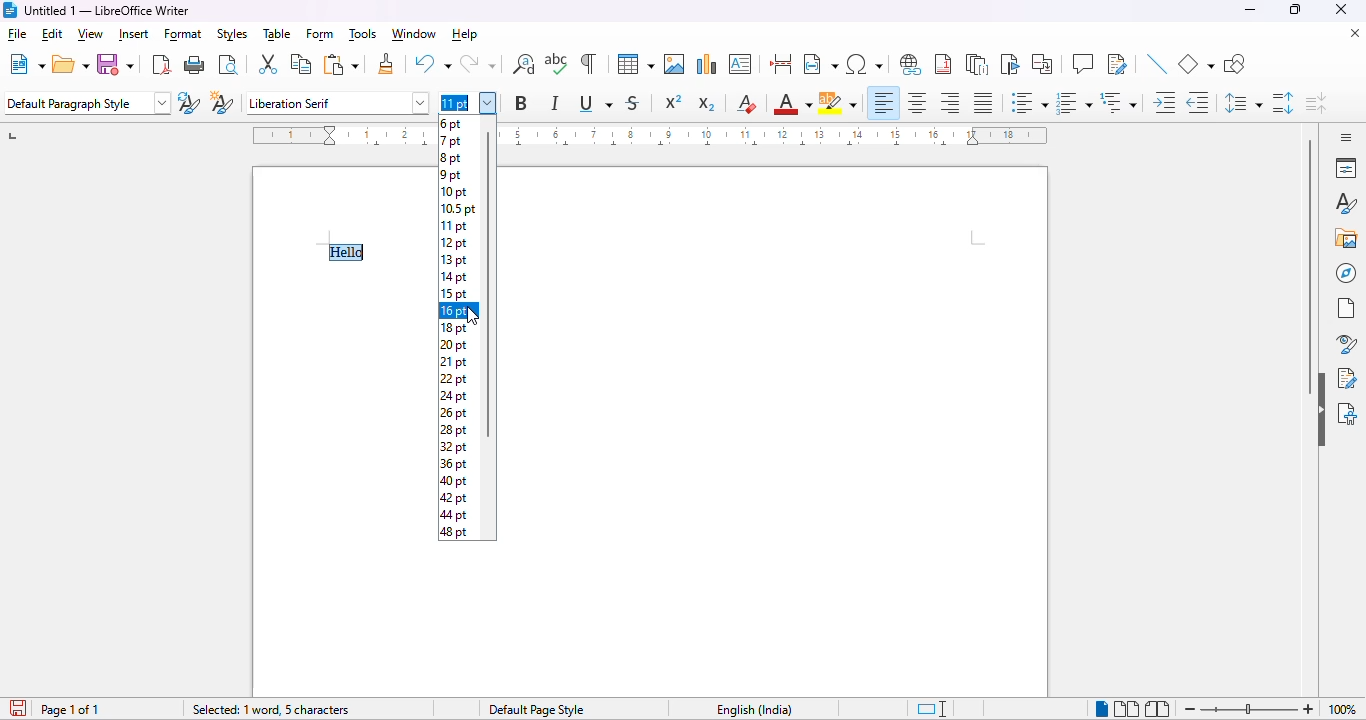 The height and width of the screenshot is (720, 1366). I want to click on undo, so click(432, 64).